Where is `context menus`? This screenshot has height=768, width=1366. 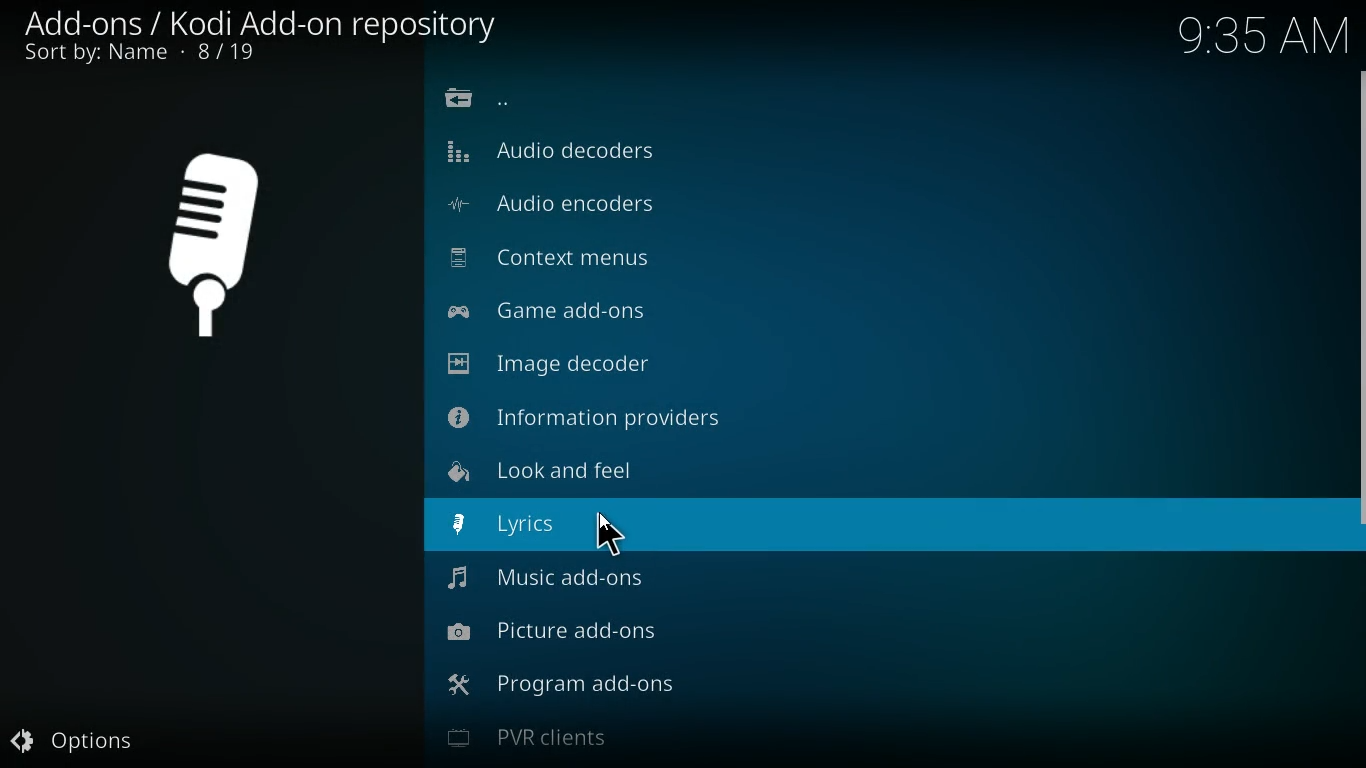
context menus is located at coordinates (569, 260).